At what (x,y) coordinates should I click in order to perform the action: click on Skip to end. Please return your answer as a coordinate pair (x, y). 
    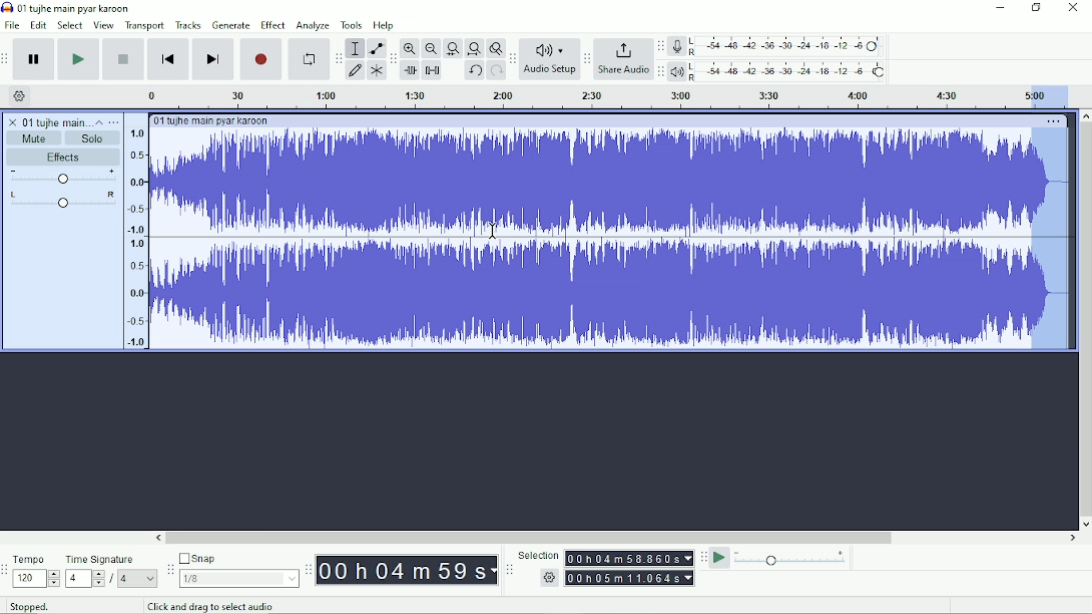
    Looking at the image, I should click on (213, 60).